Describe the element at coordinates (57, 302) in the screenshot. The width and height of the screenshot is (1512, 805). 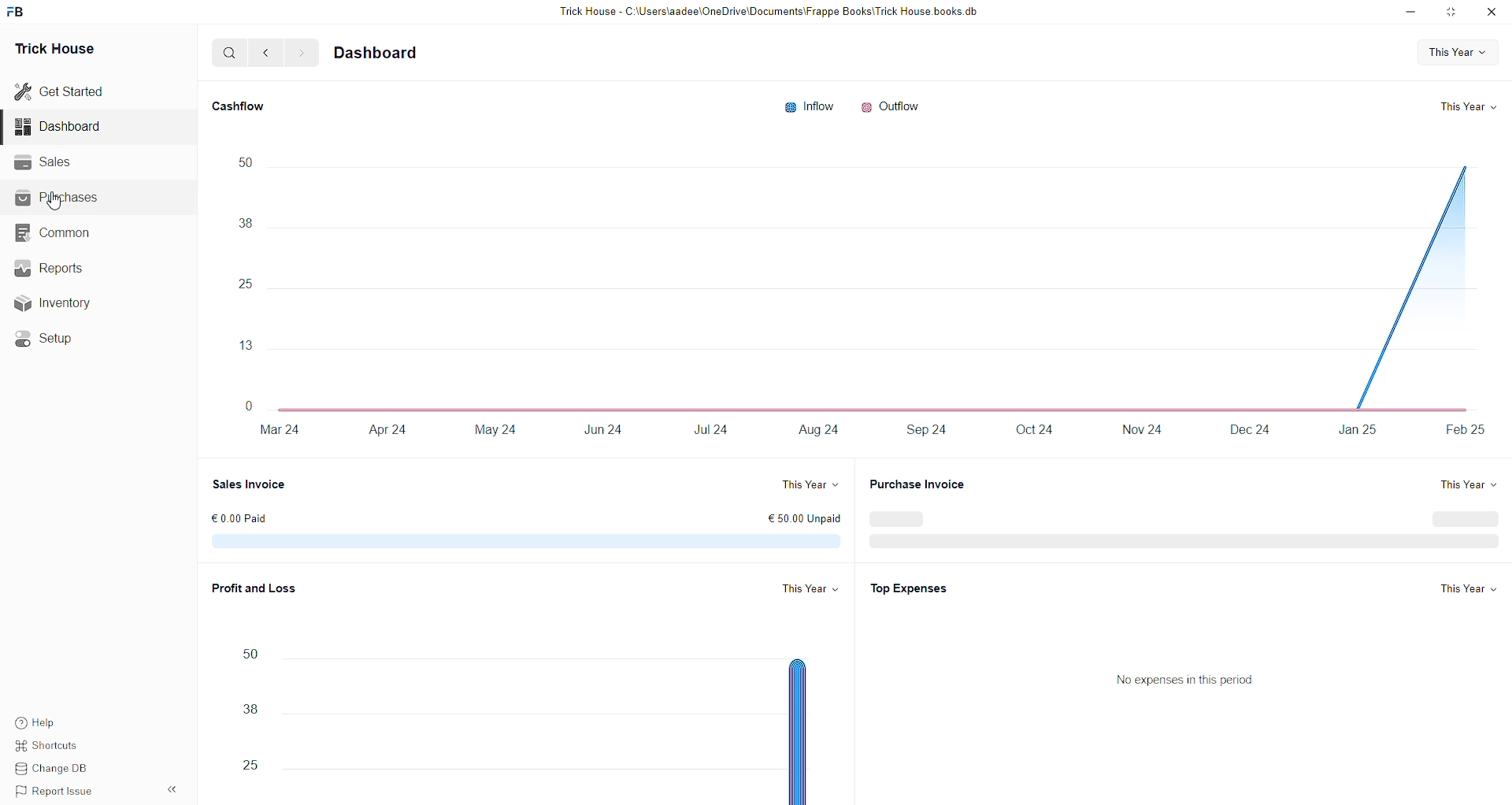
I see `Inventory` at that location.